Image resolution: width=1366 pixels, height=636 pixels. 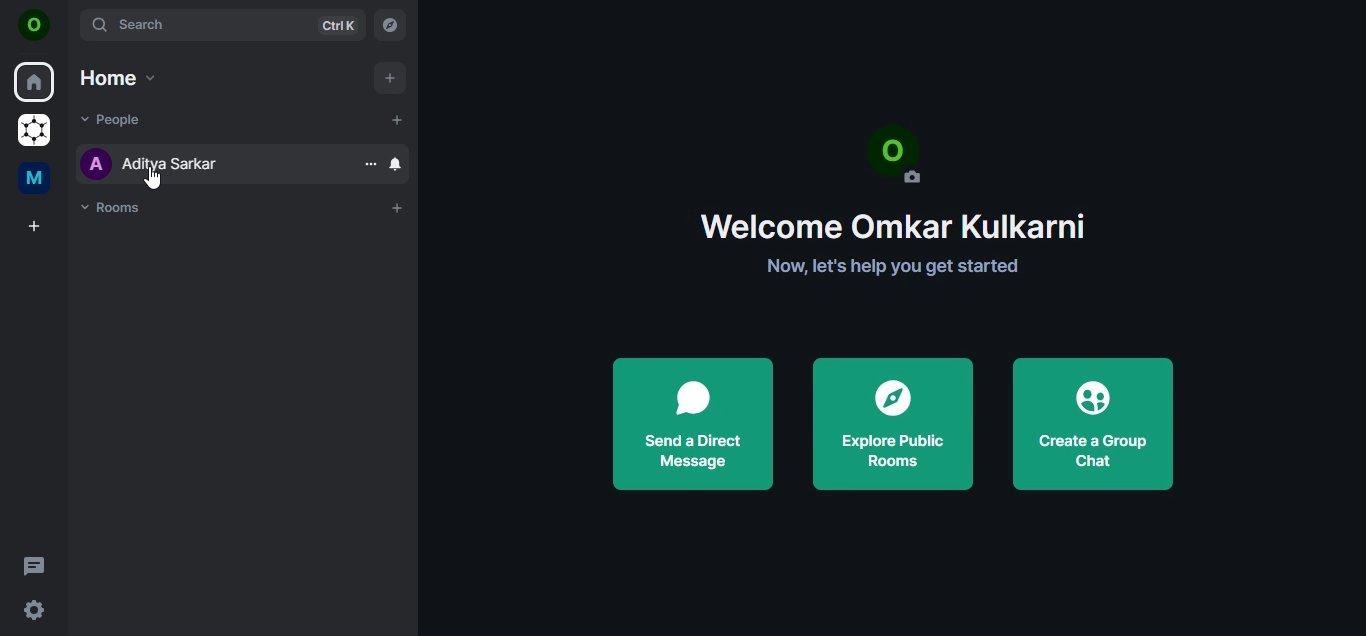 What do you see at coordinates (35, 177) in the screenshot?
I see `me` at bounding box center [35, 177].